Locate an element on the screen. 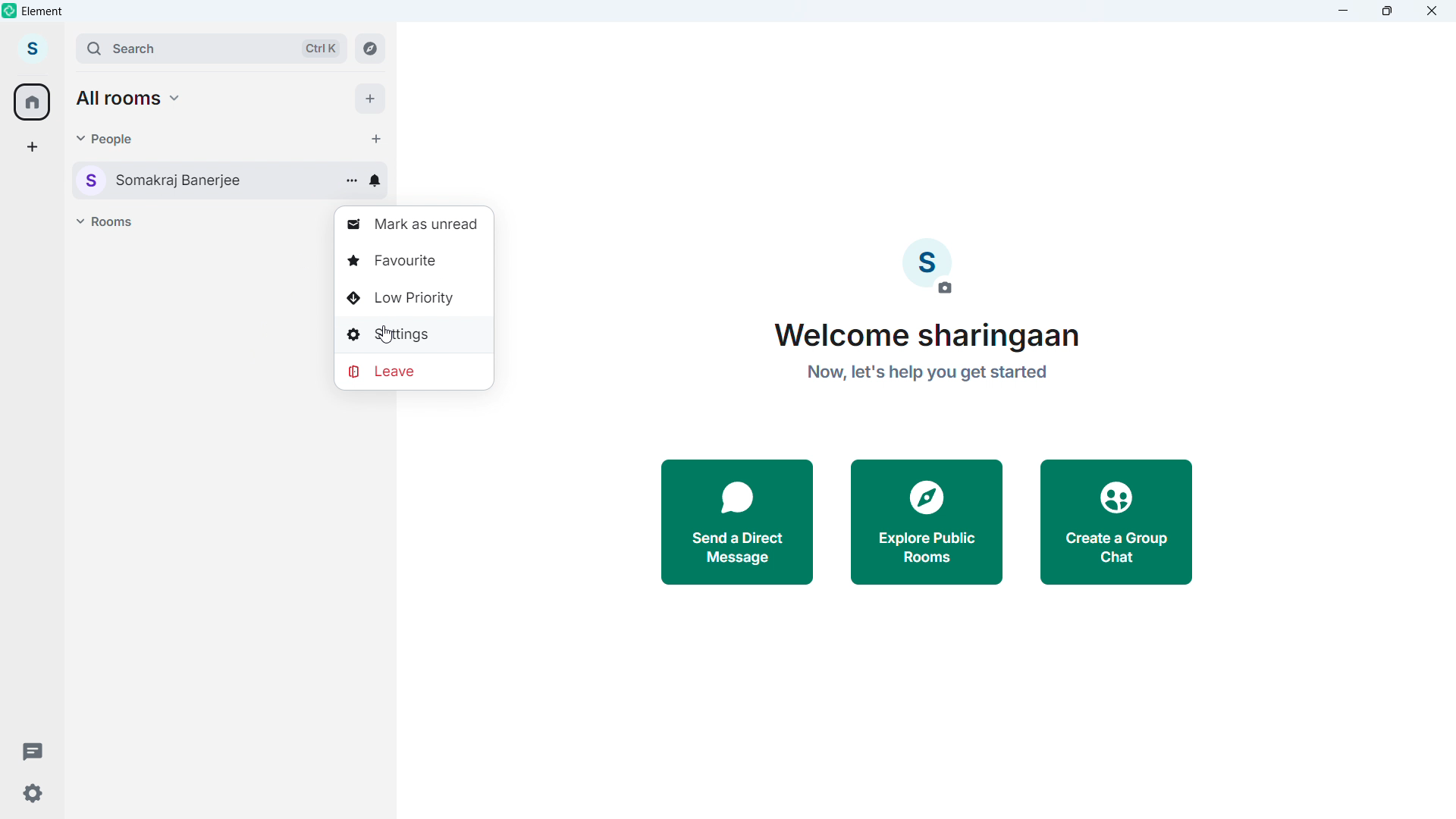  Settings  is located at coordinates (32, 797).